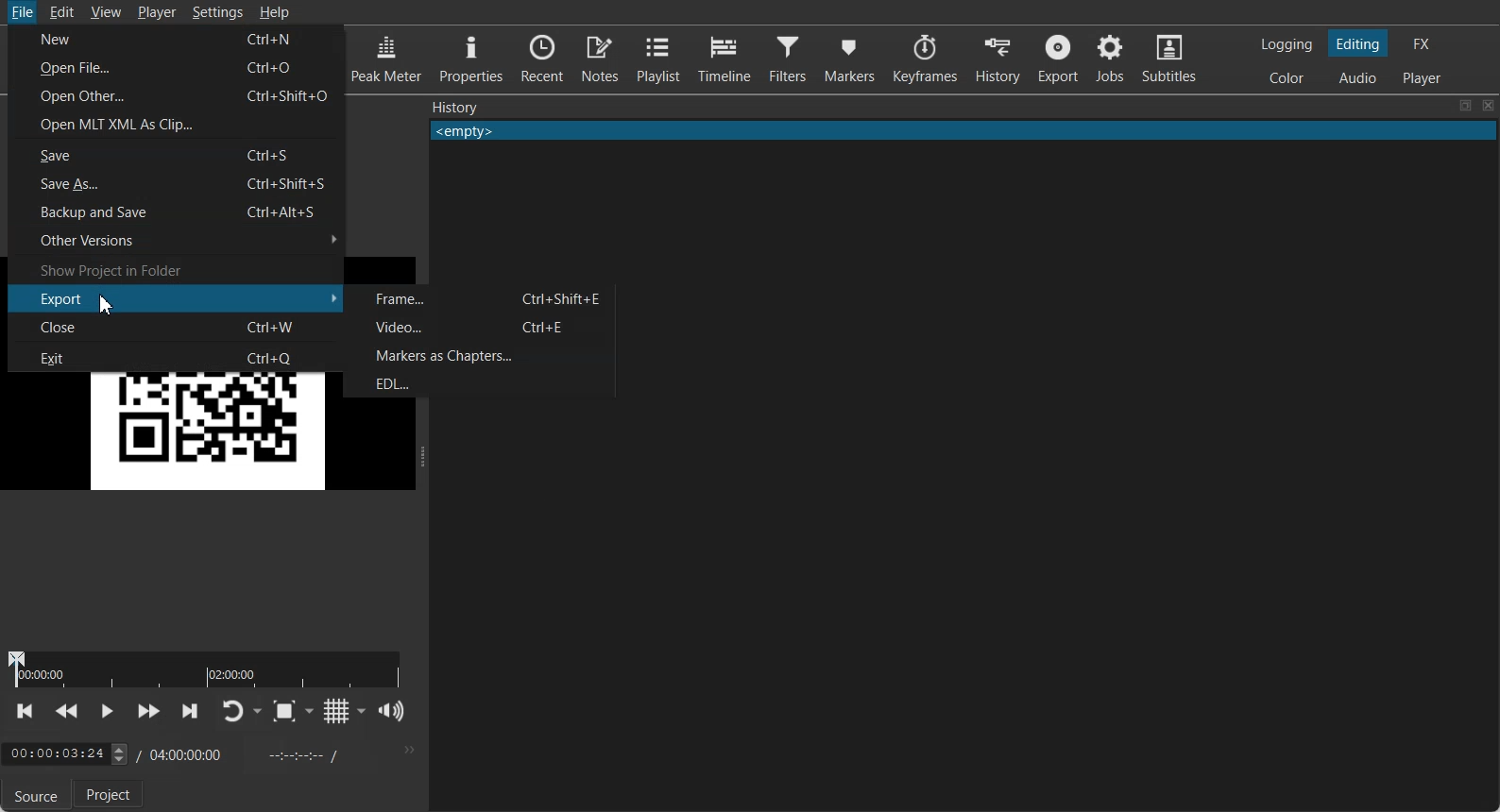 Image resolution: width=1500 pixels, height=812 pixels. Describe the element at coordinates (106, 155) in the screenshot. I see `Save` at that location.